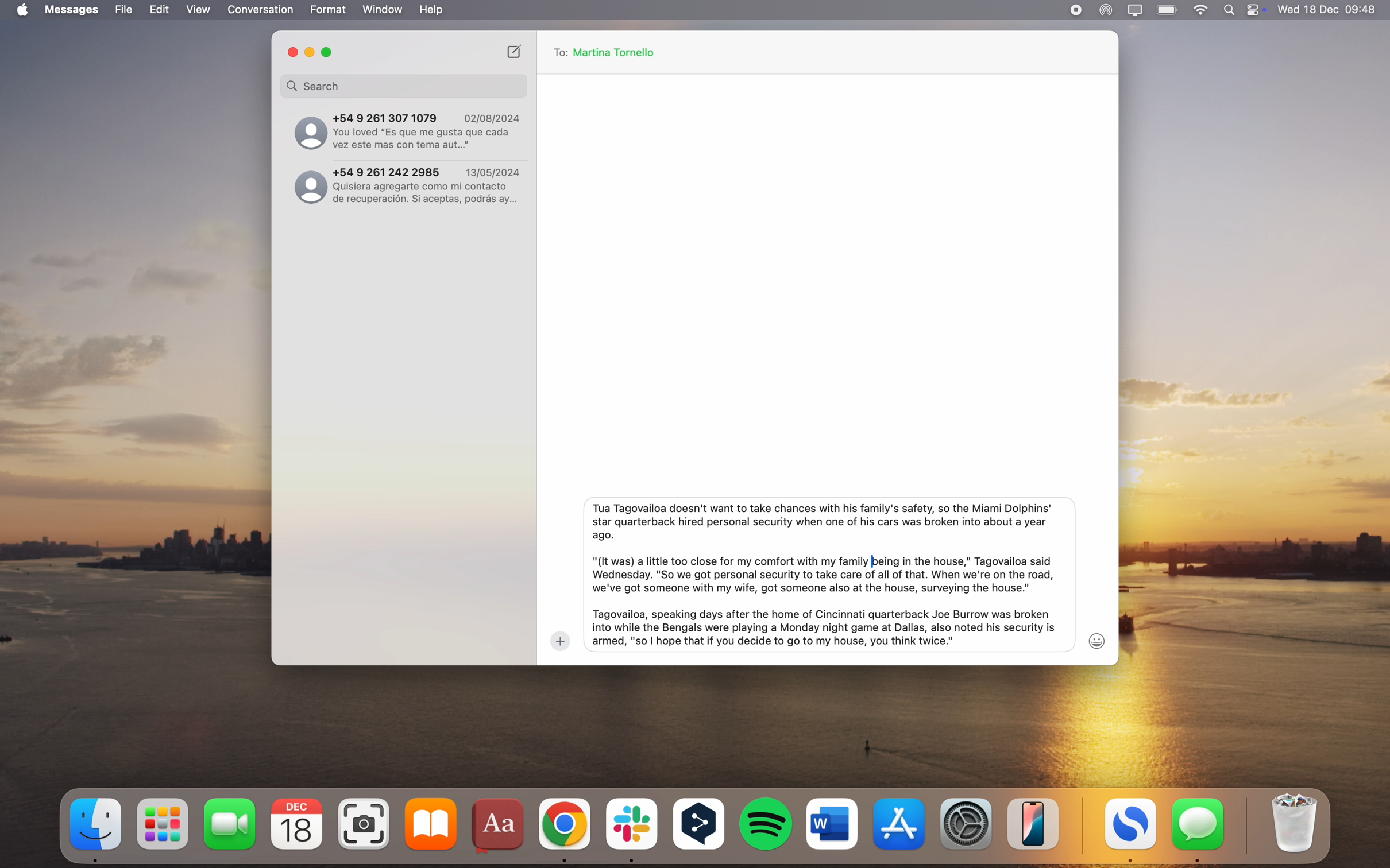 Image resolution: width=1390 pixels, height=868 pixels. Describe the element at coordinates (1232, 10) in the screenshot. I see `spotlight search` at that location.